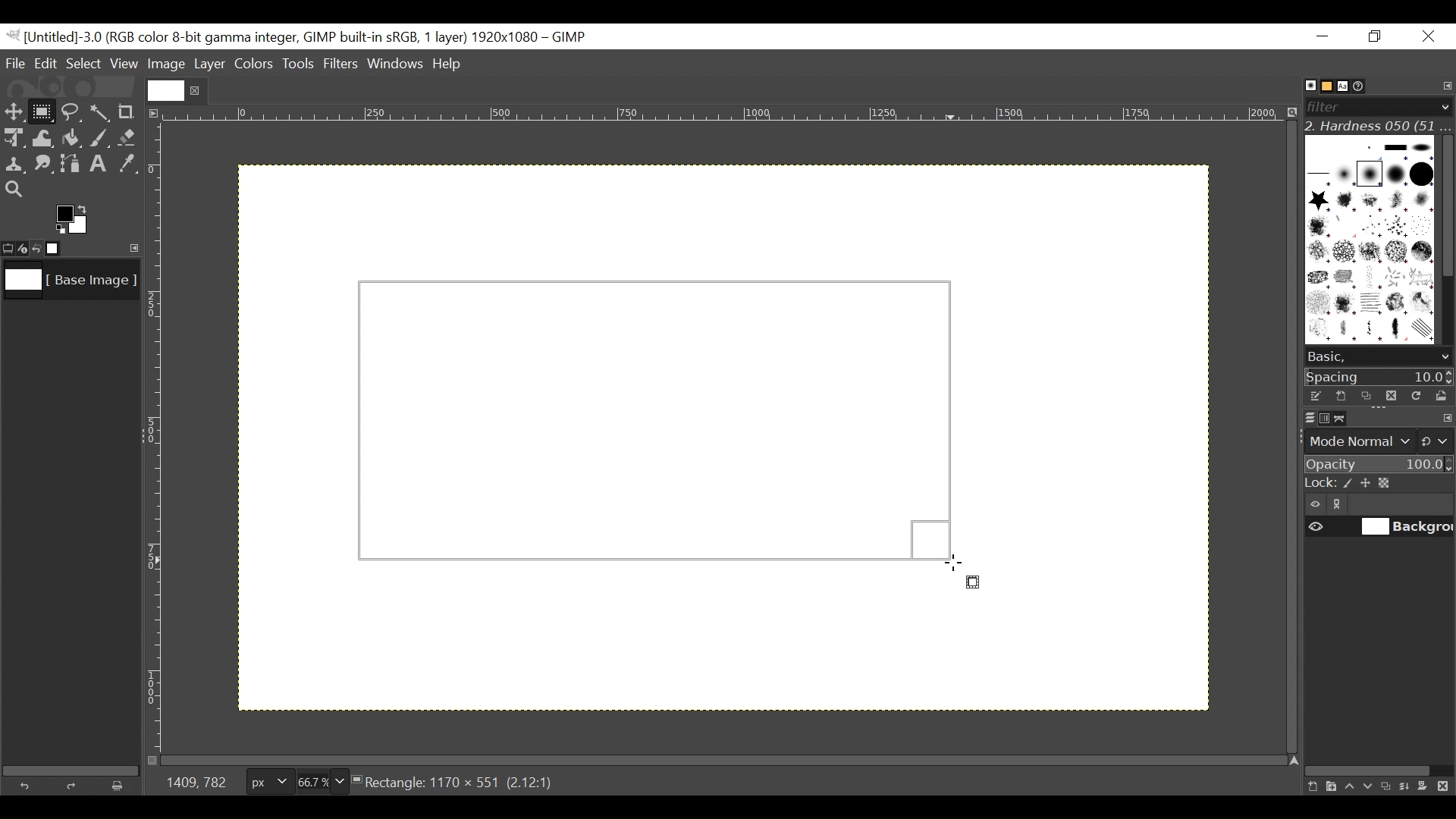  What do you see at coordinates (70, 109) in the screenshot?
I see `Free Select tool` at bounding box center [70, 109].